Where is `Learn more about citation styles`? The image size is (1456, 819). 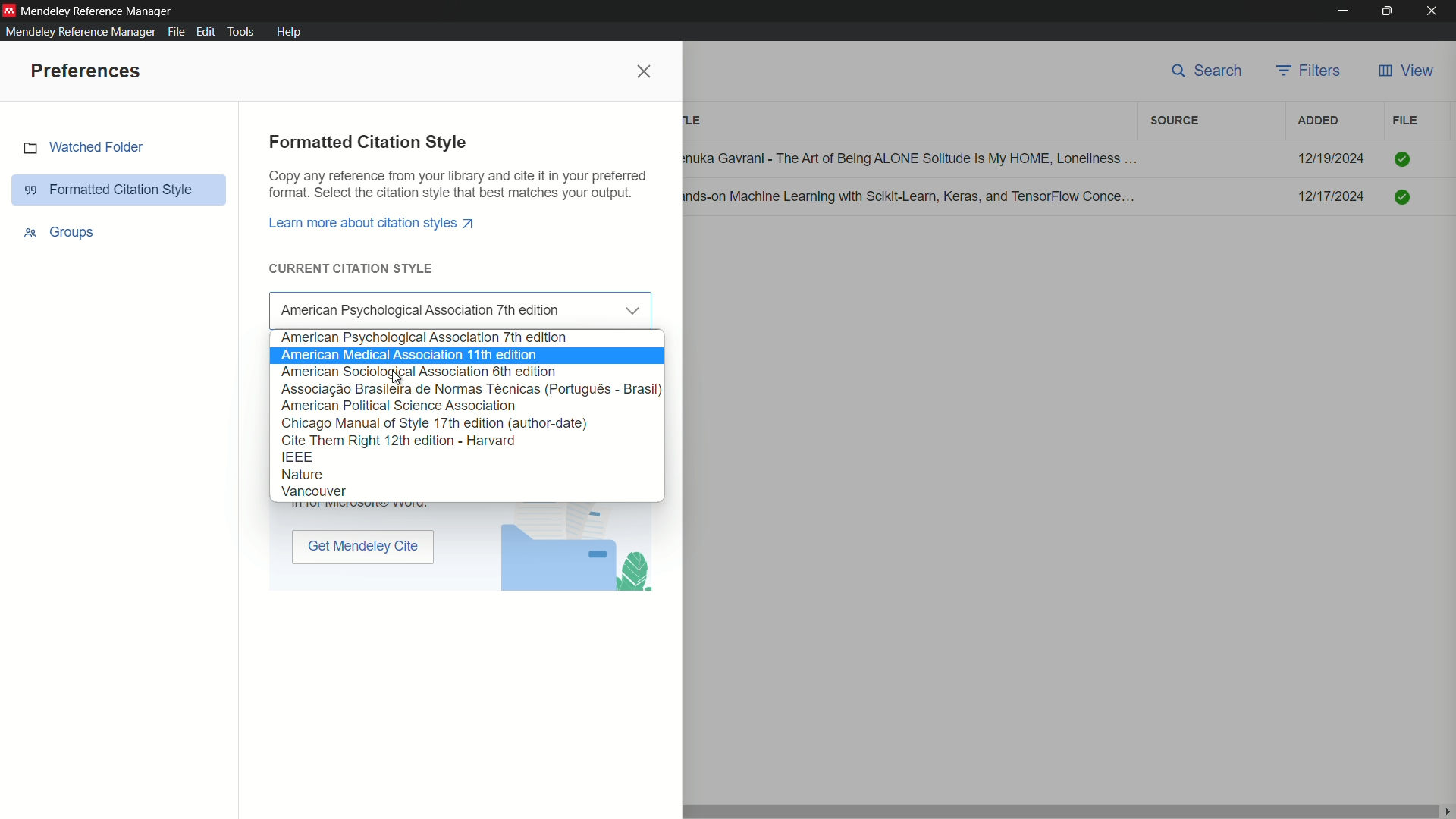
Learn more about citation styles is located at coordinates (373, 222).